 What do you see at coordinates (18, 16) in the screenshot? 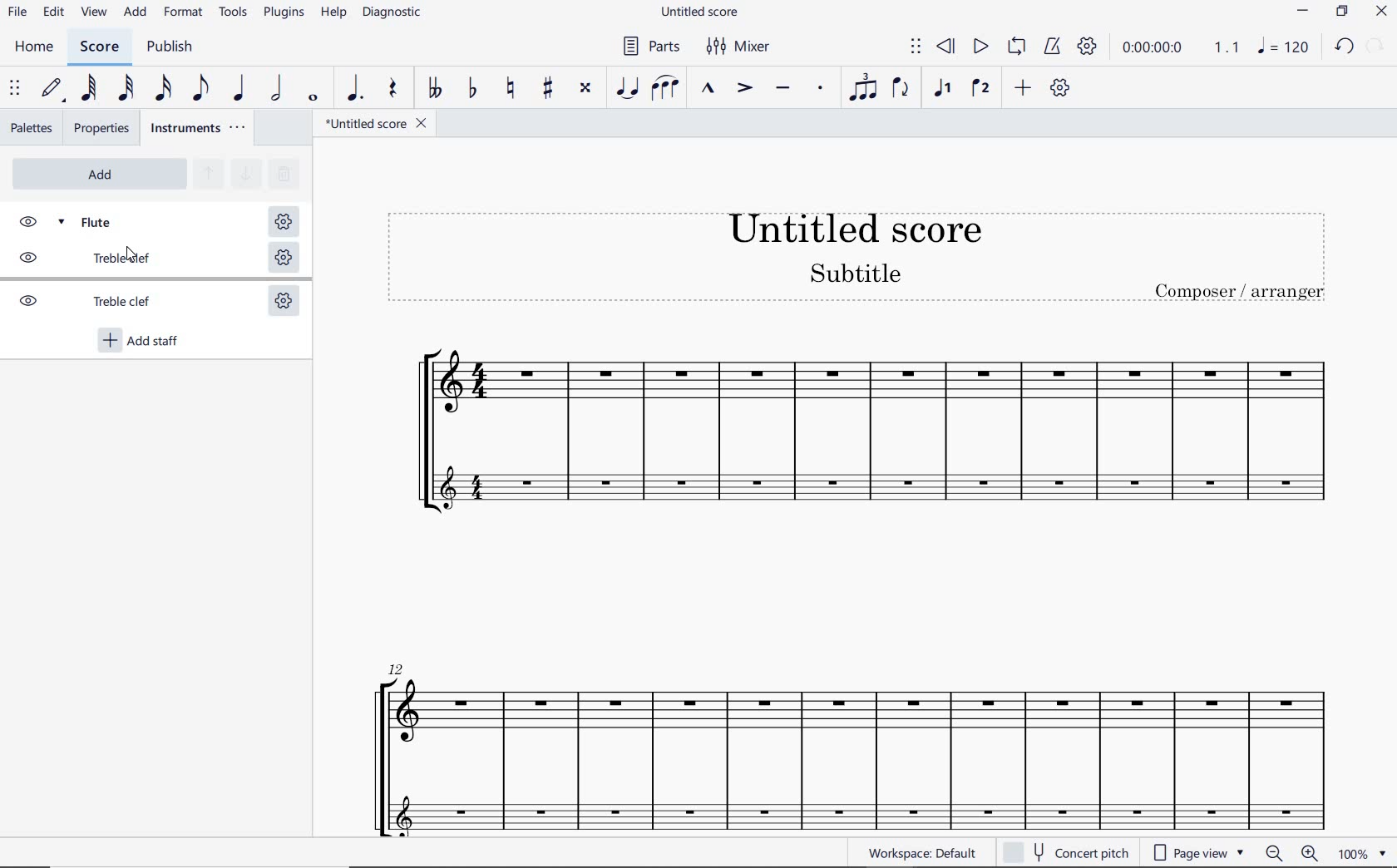
I see `file` at bounding box center [18, 16].